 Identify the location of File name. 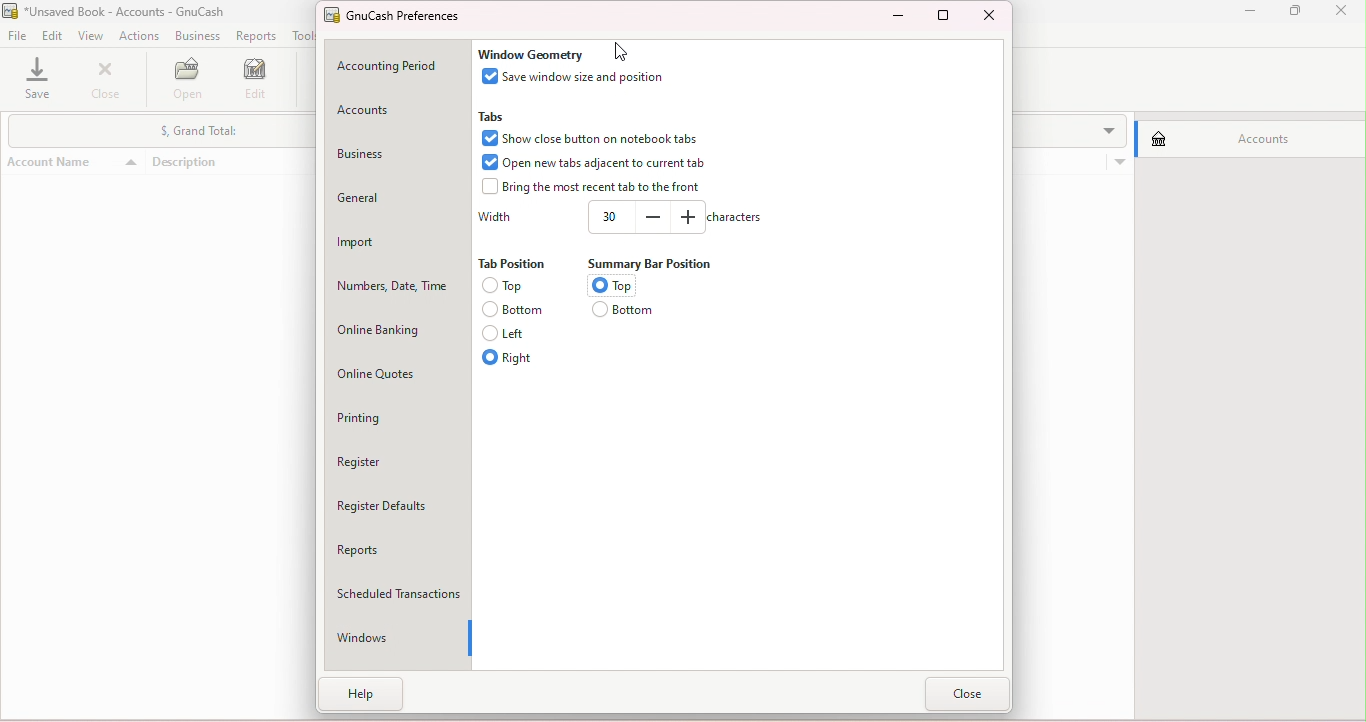
(126, 12).